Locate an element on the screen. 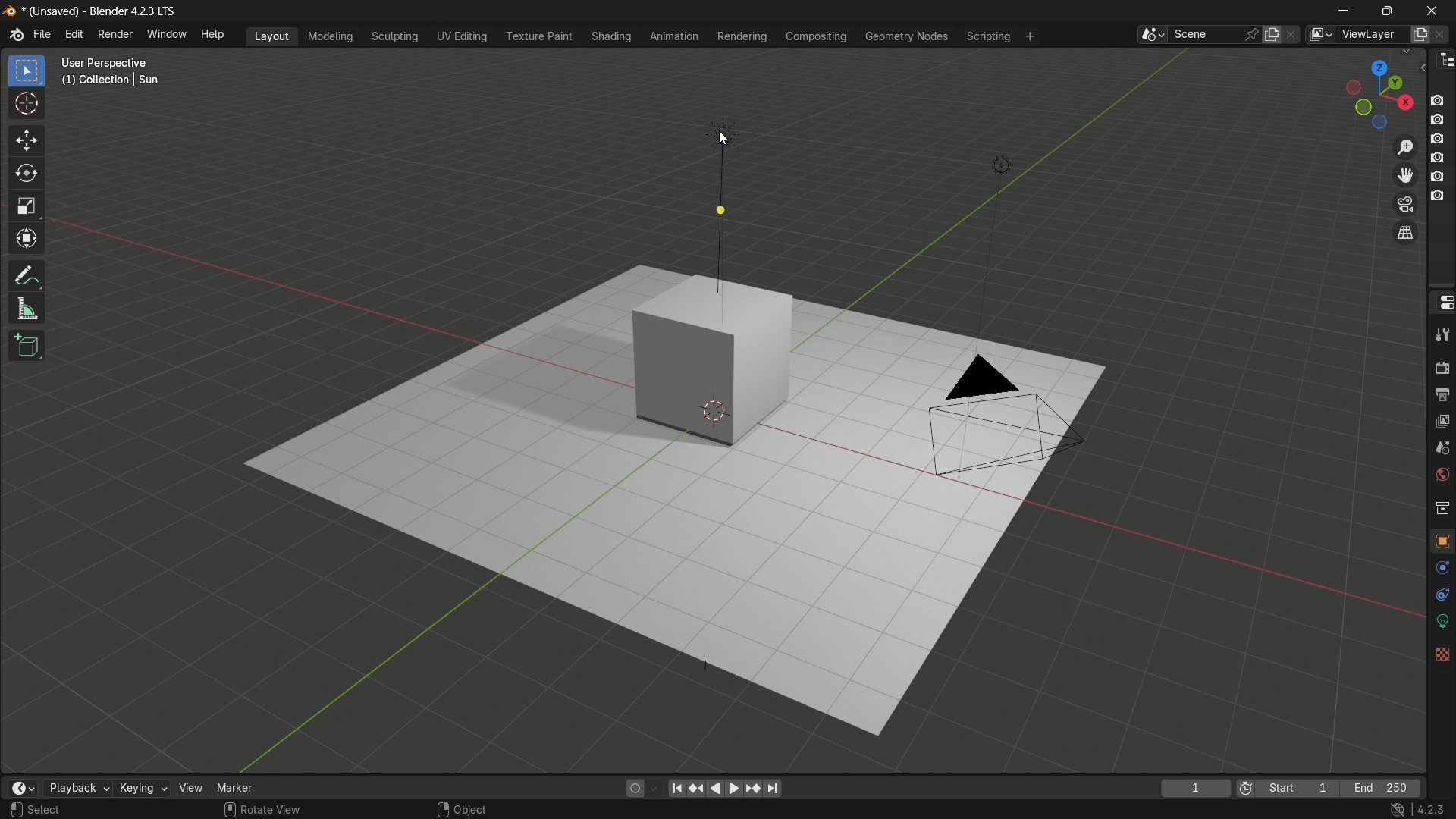  layer 4 is located at coordinates (1437, 157).